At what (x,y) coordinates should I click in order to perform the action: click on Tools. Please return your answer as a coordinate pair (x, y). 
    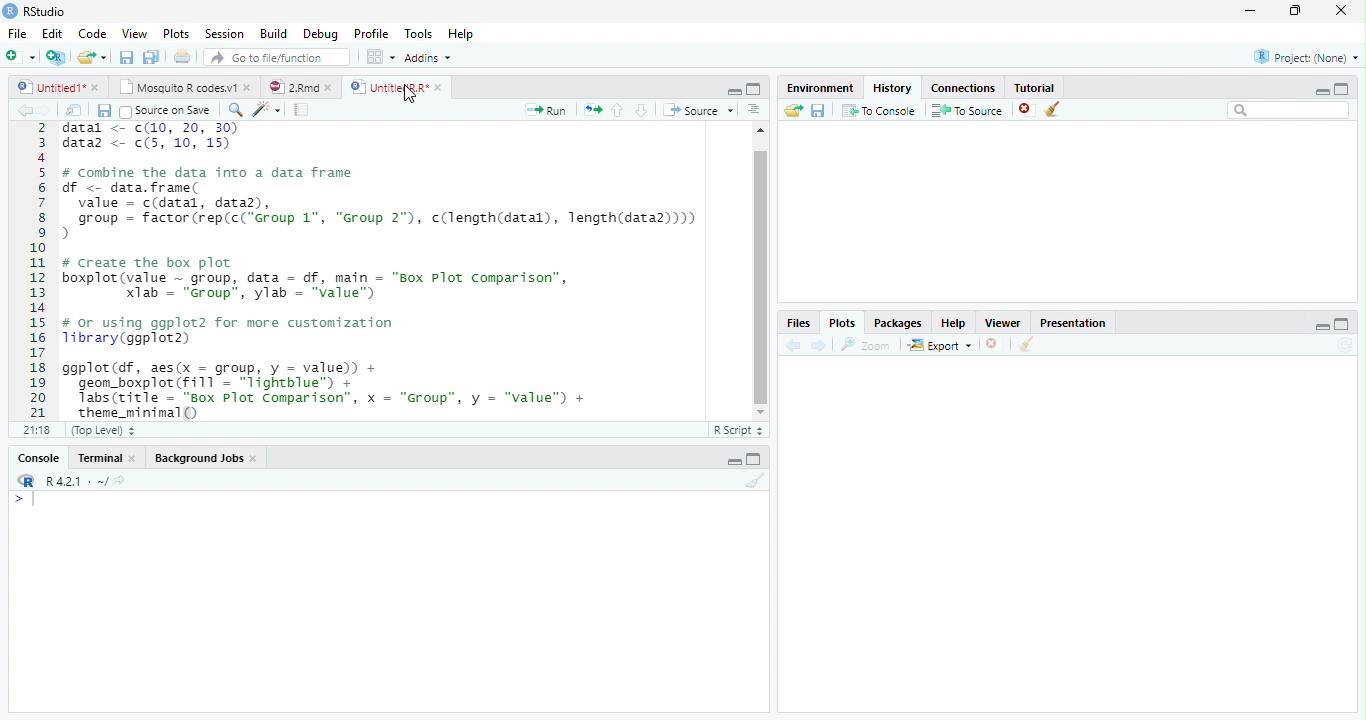
    Looking at the image, I should click on (418, 32).